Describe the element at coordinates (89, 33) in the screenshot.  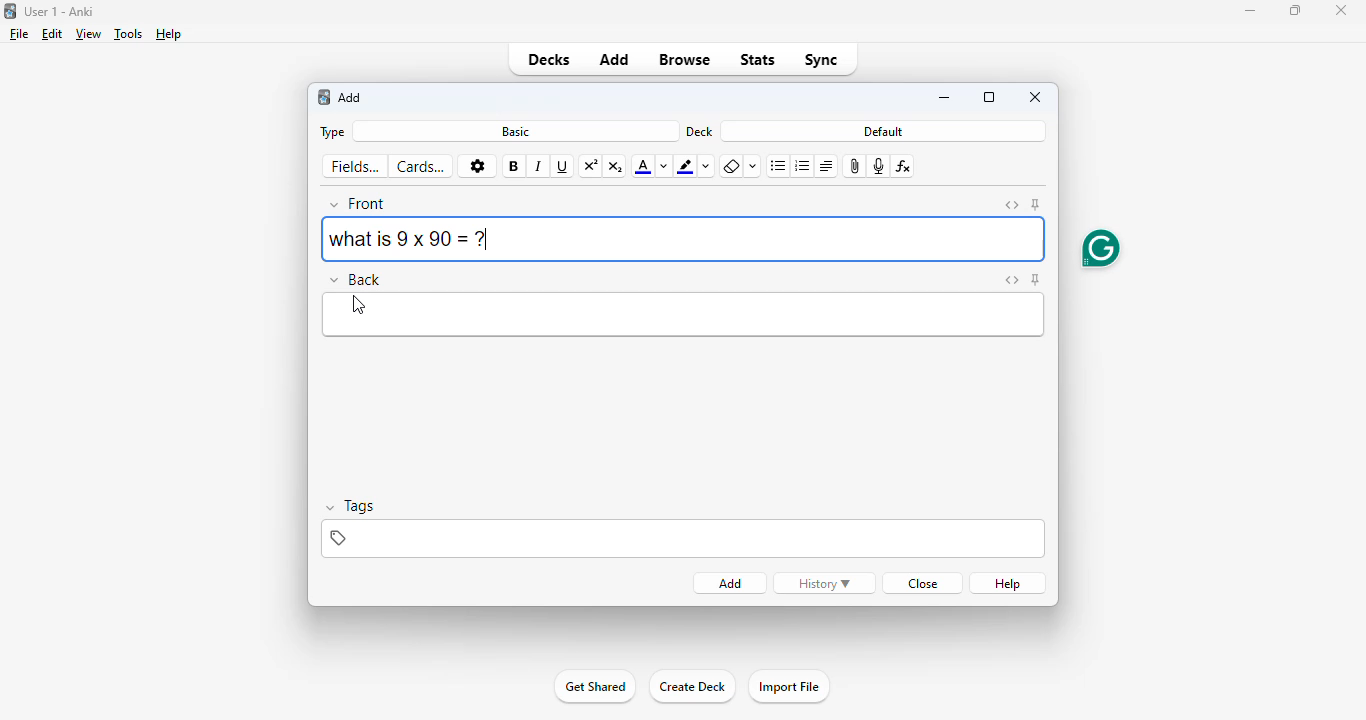
I see `view` at that location.